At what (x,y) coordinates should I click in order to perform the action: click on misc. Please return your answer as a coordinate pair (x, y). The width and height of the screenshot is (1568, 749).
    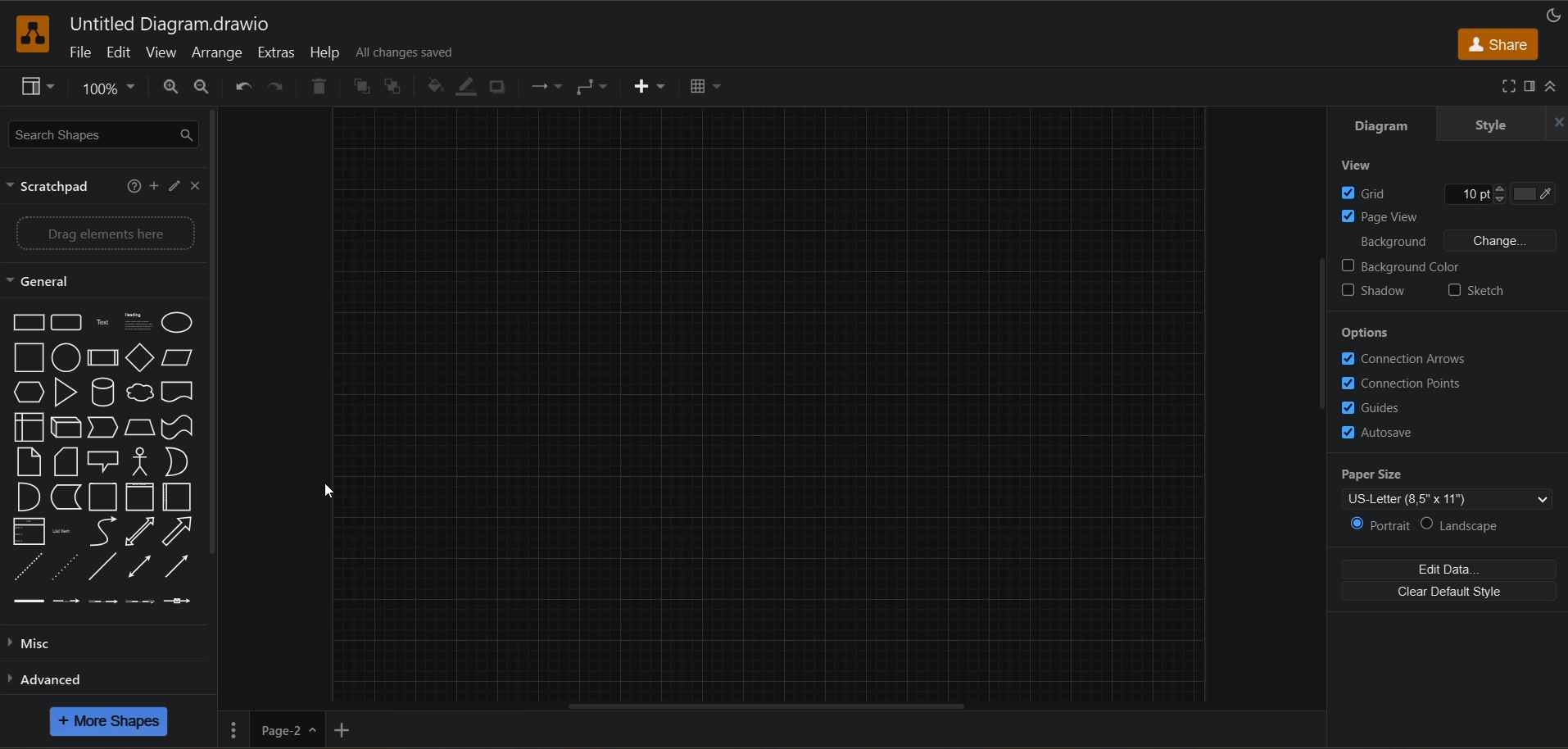
    Looking at the image, I should click on (40, 647).